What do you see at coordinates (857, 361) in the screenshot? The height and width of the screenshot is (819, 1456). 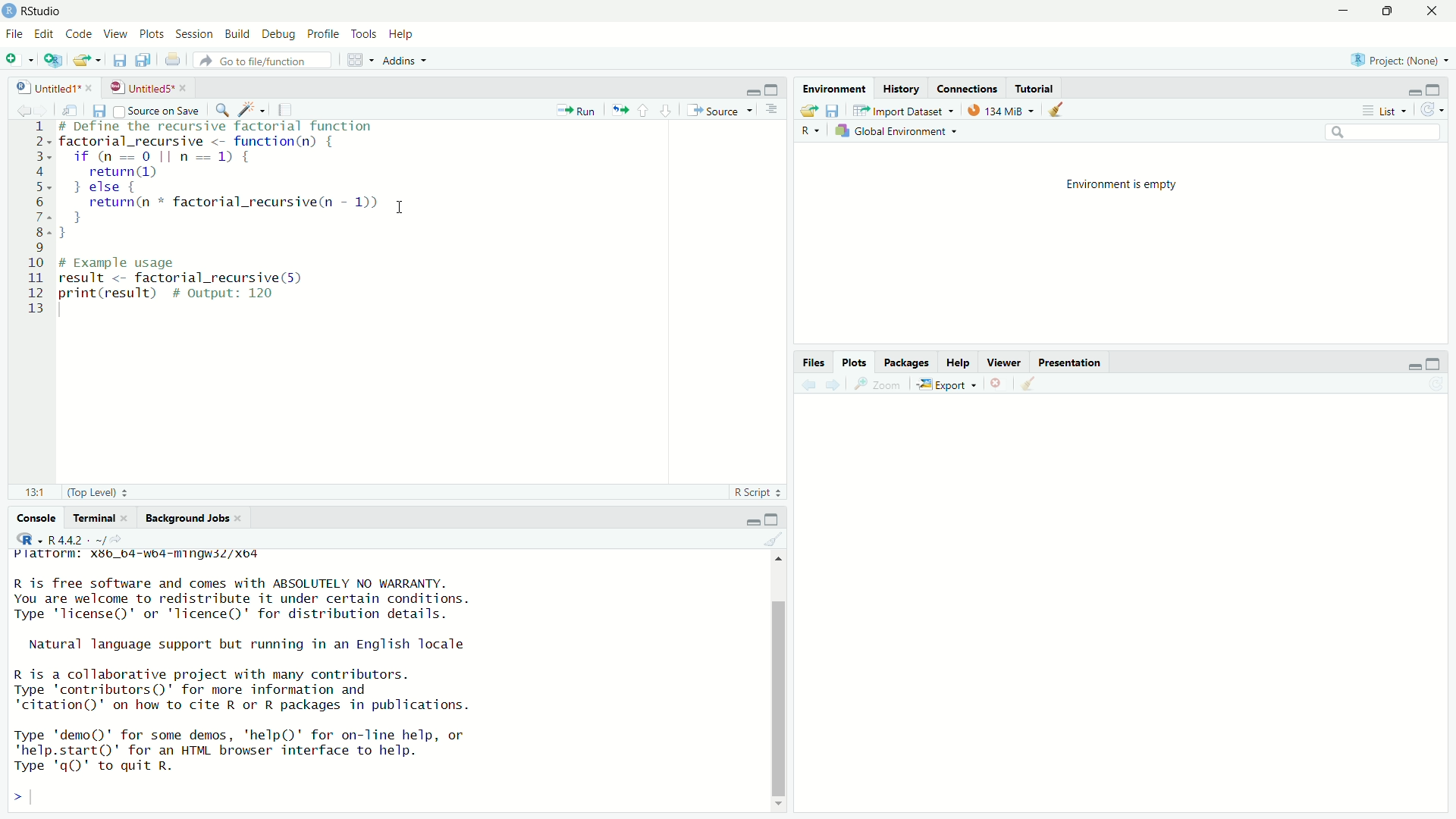 I see `Plots` at bounding box center [857, 361].